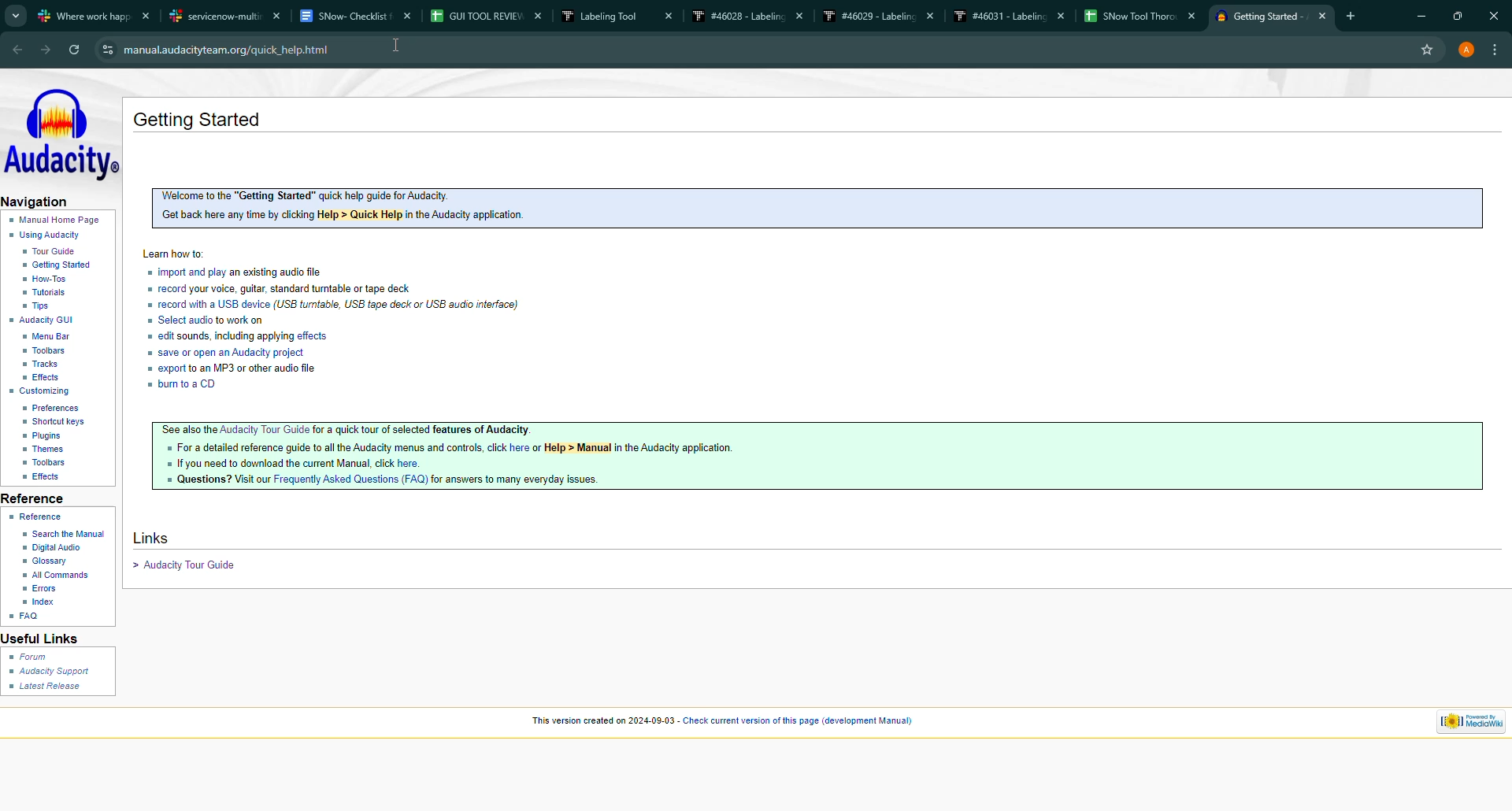 This screenshot has width=1512, height=811. Describe the element at coordinates (58, 549) in the screenshot. I see `digital` at that location.